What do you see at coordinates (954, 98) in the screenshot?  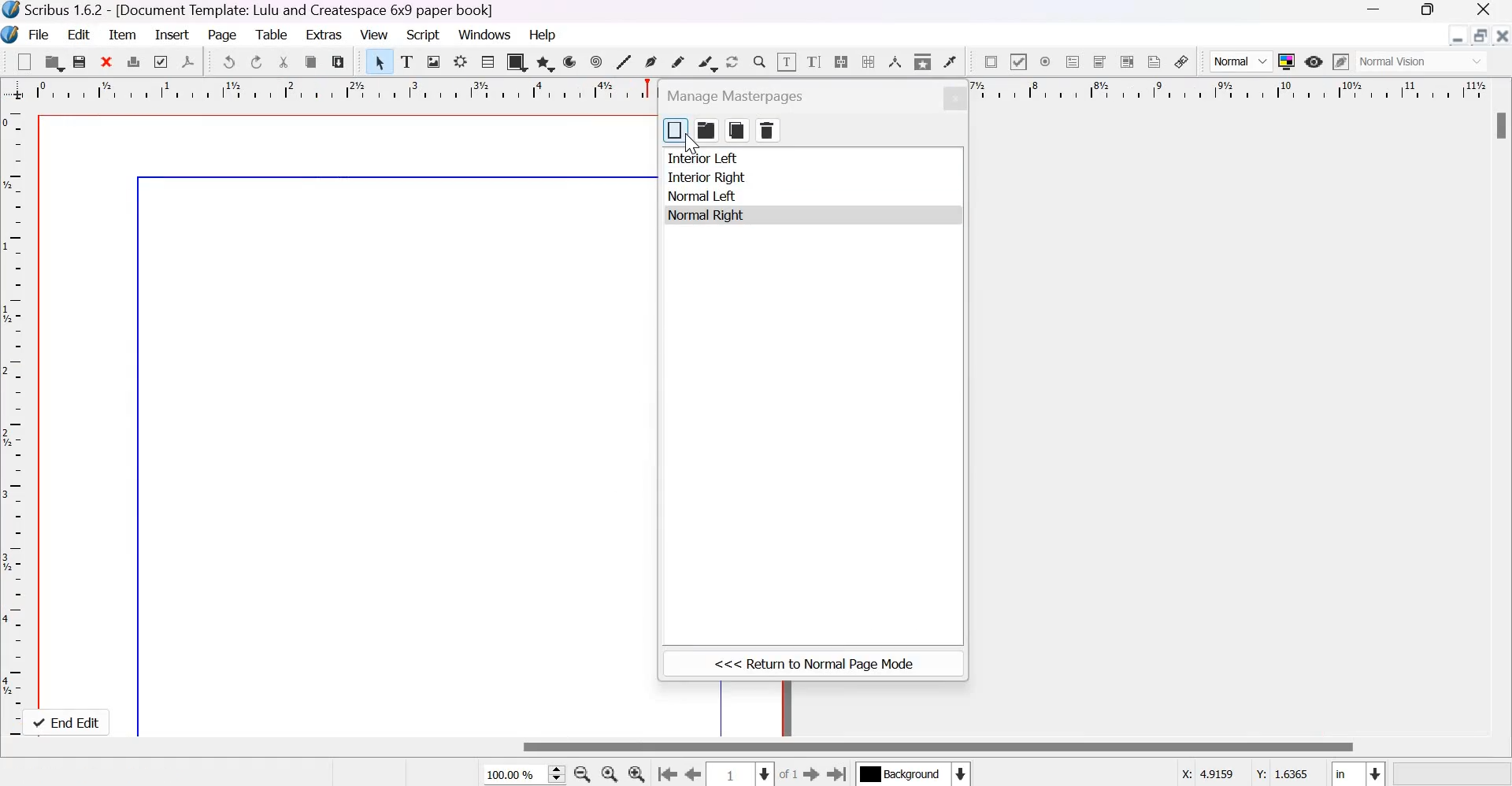 I see `close` at bounding box center [954, 98].